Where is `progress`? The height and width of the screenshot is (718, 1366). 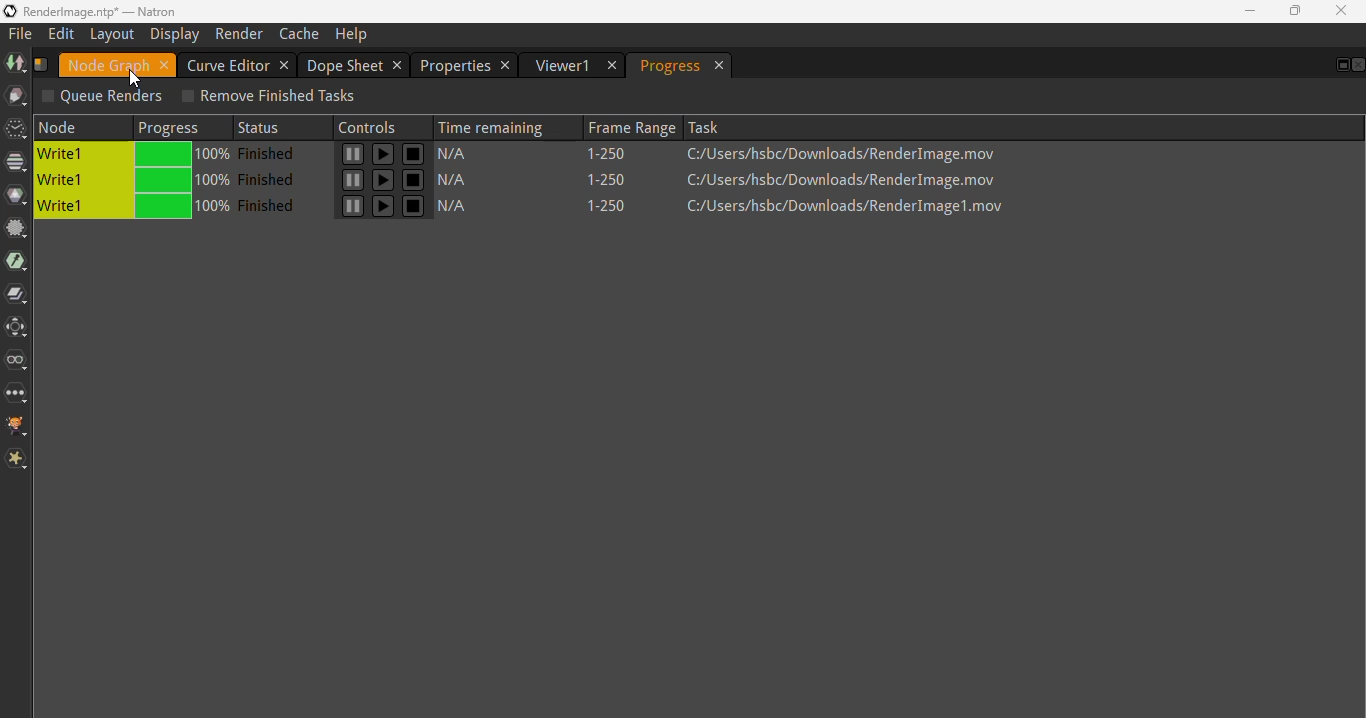
progress is located at coordinates (182, 206).